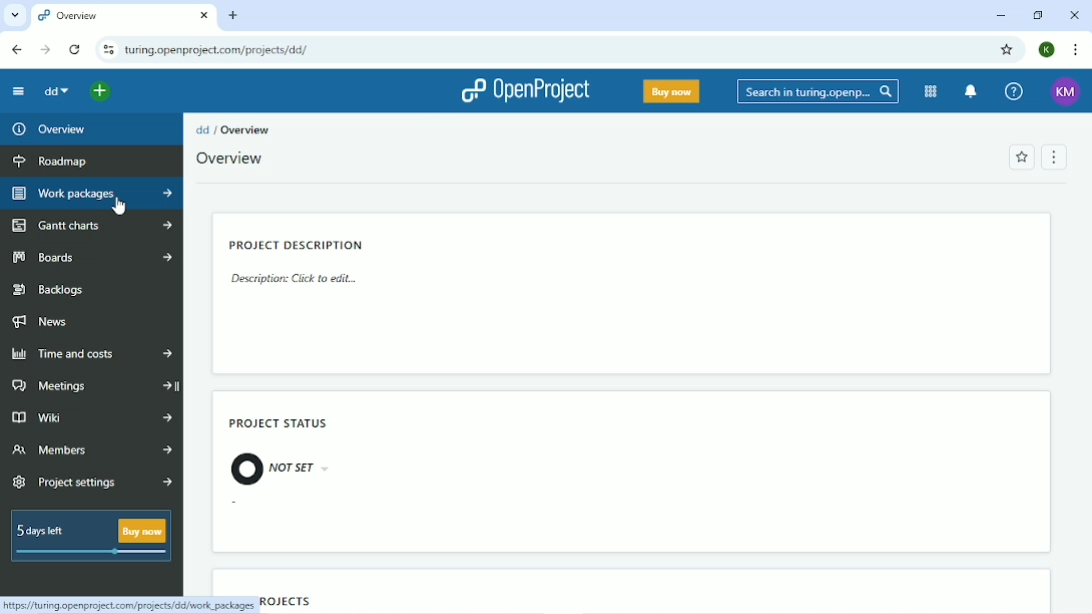 The width and height of the screenshot is (1092, 614). I want to click on Overview, so click(231, 159).